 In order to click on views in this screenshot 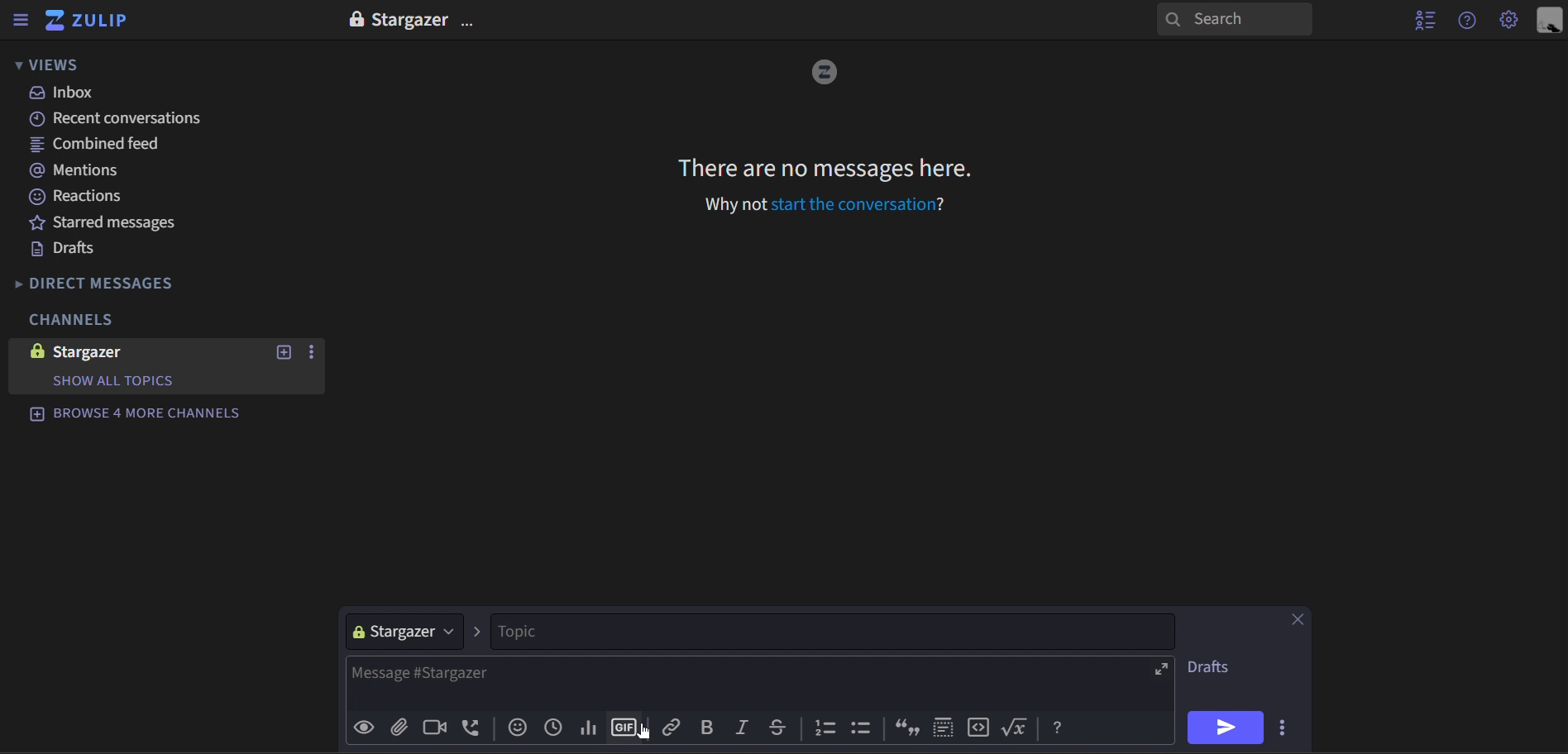, I will do `click(60, 64)`.